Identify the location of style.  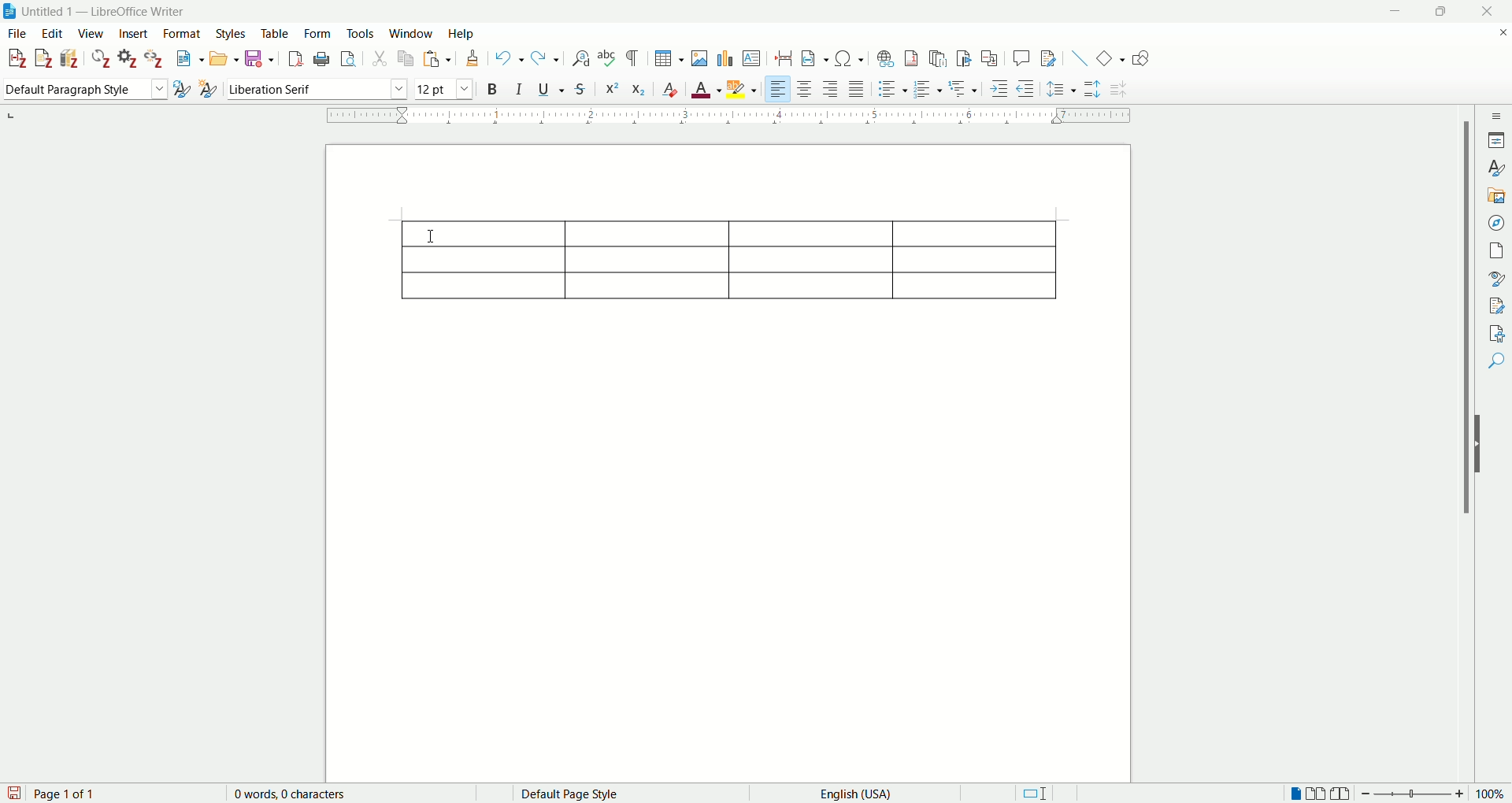
(1499, 165).